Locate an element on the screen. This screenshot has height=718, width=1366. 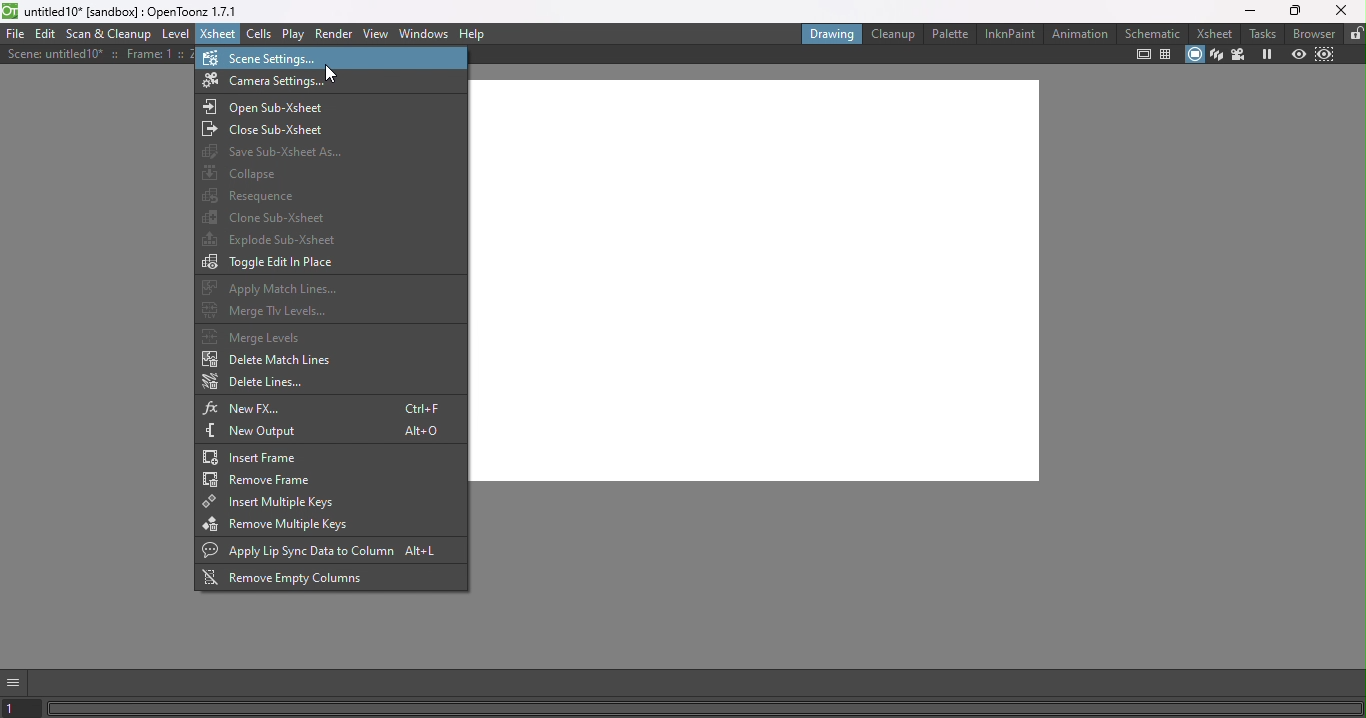
Delete match lines is located at coordinates (272, 360).